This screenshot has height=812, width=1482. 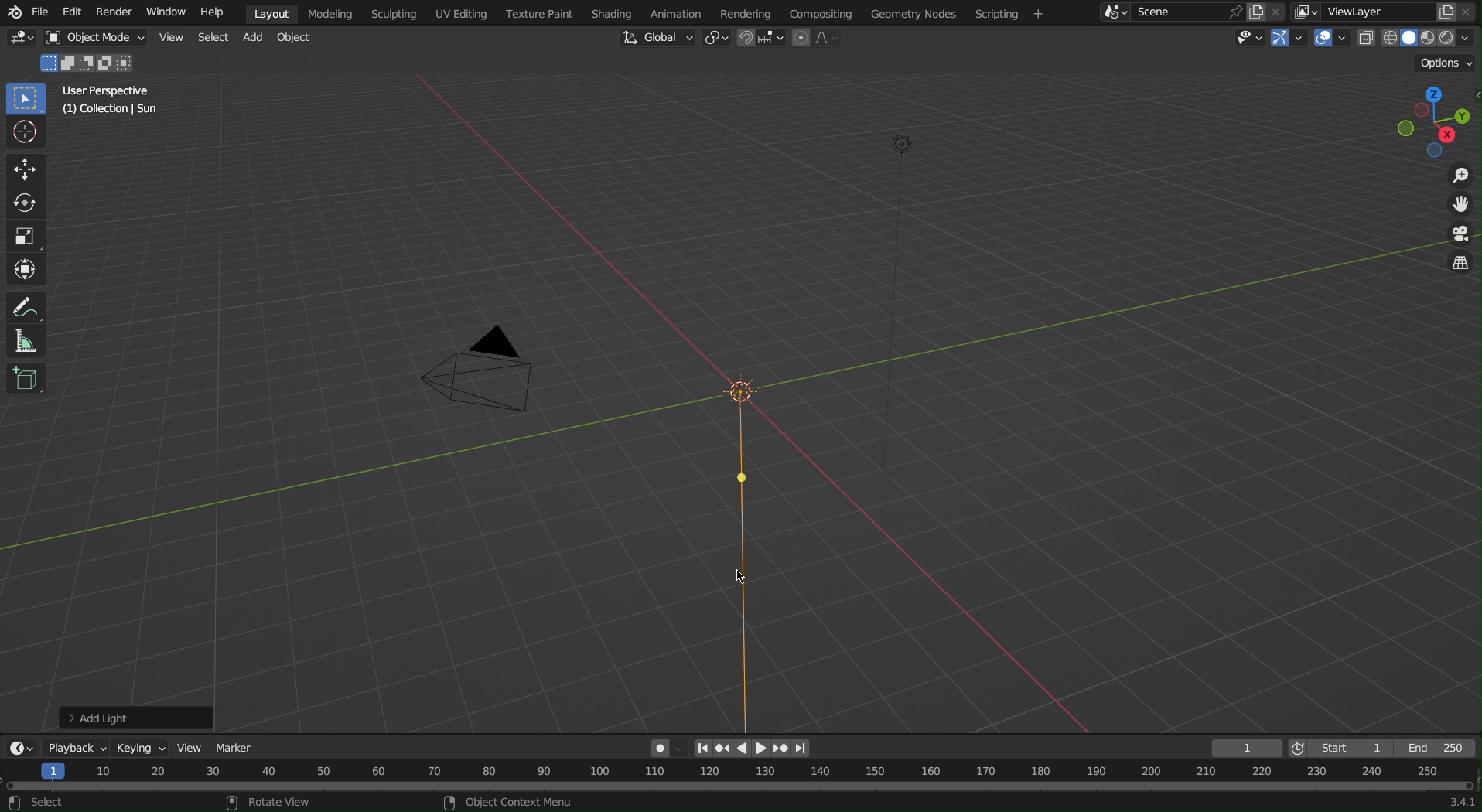 I want to click on Frame 1, so click(x=1248, y=748).